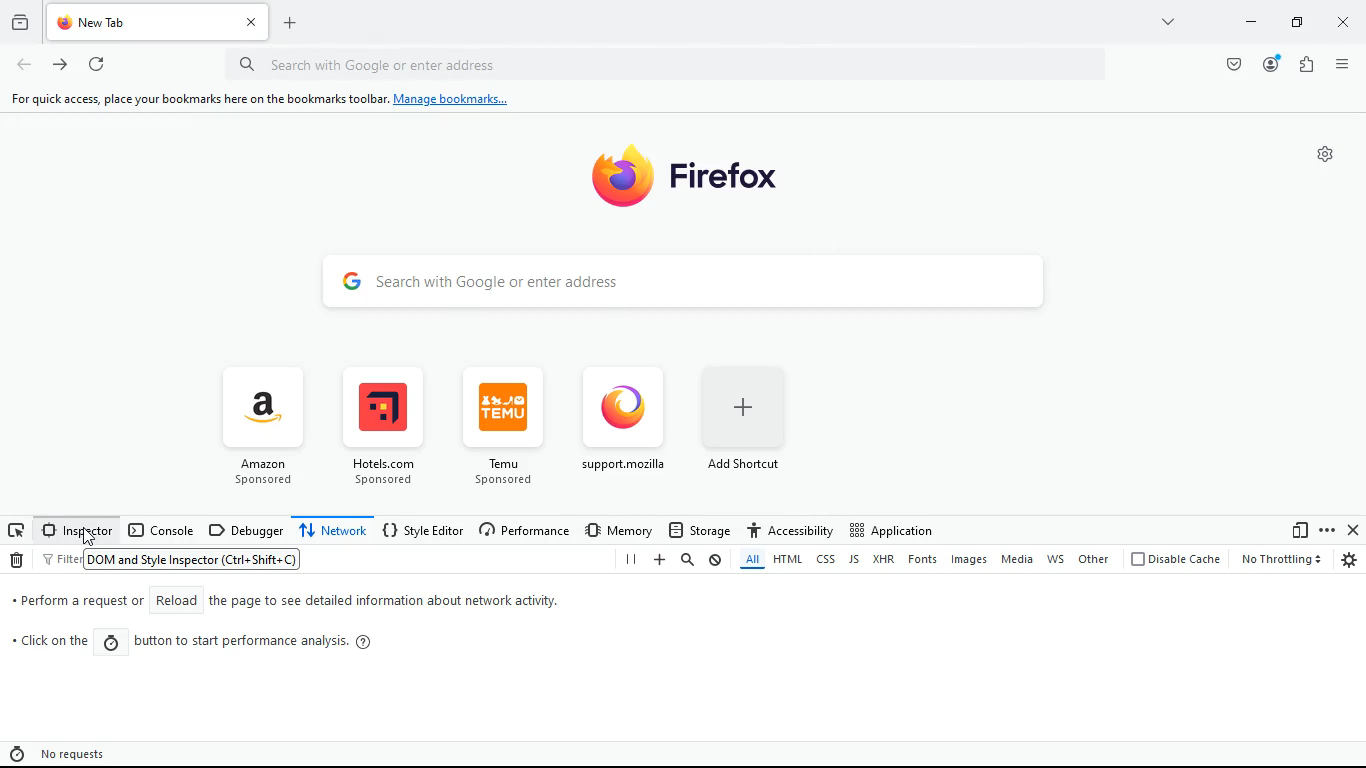 The width and height of the screenshot is (1366, 768). Describe the element at coordinates (16, 530) in the screenshot. I see `screen` at that location.